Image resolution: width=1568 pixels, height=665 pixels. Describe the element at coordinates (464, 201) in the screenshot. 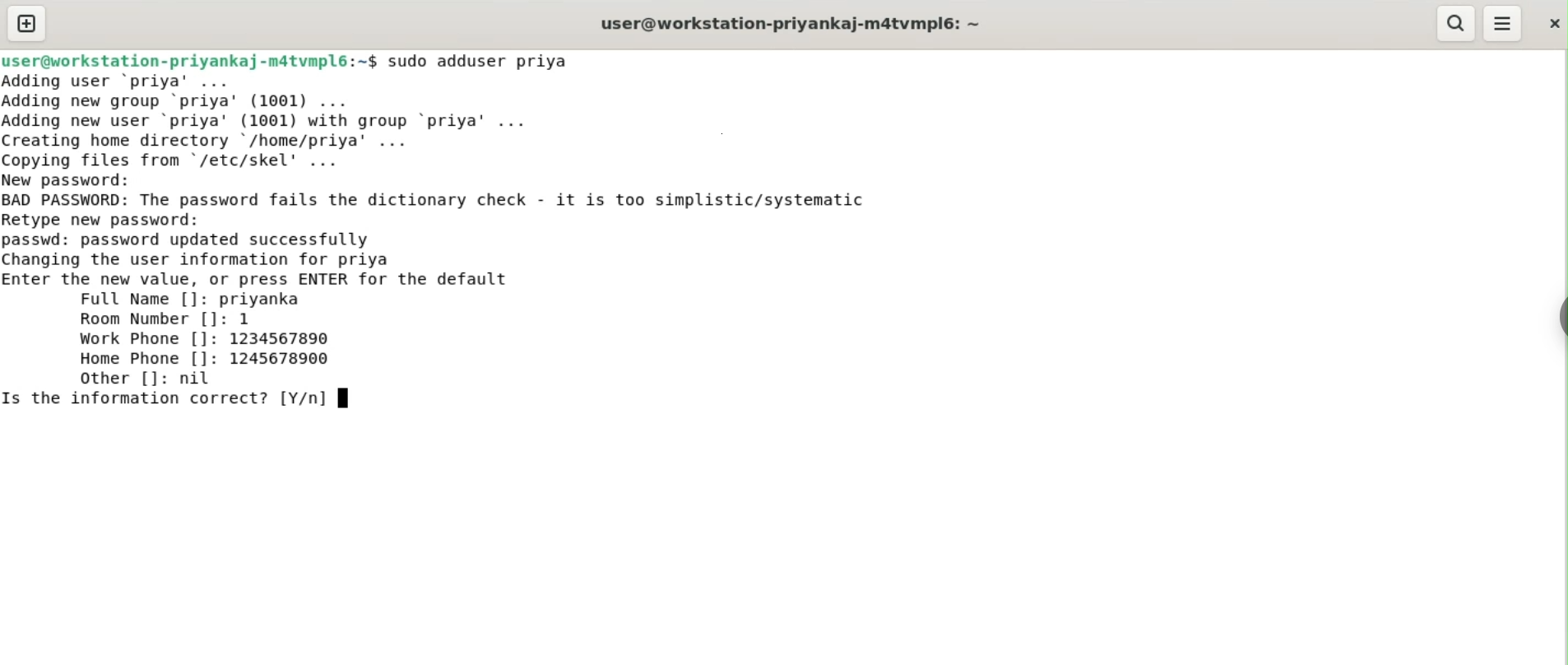

I see `BAD PASSWORD: The password fails the dictionary check. it is too simplistic/systematic` at that location.